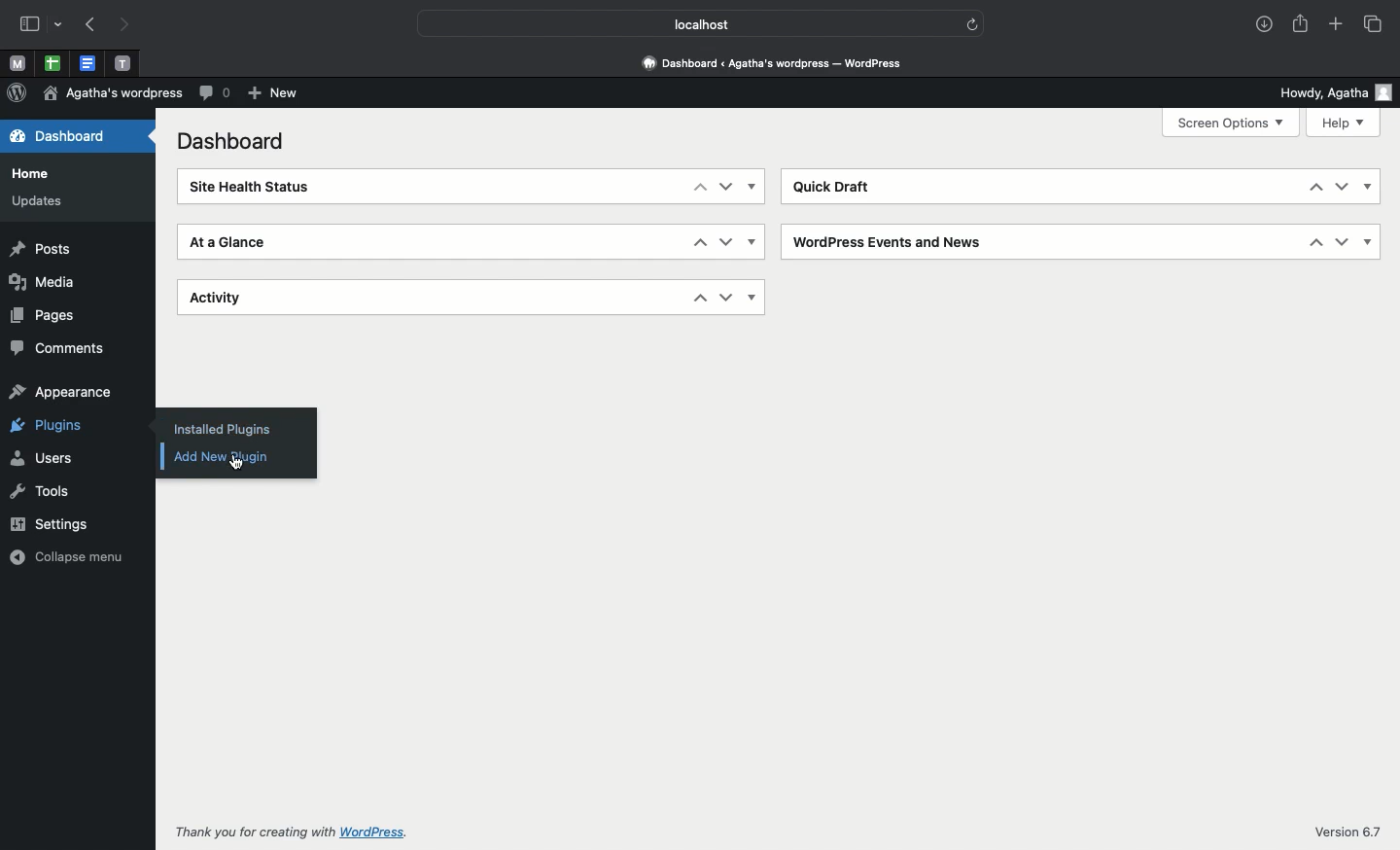 The width and height of the screenshot is (1400, 850). I want to click on Up, so click(1314, 243).